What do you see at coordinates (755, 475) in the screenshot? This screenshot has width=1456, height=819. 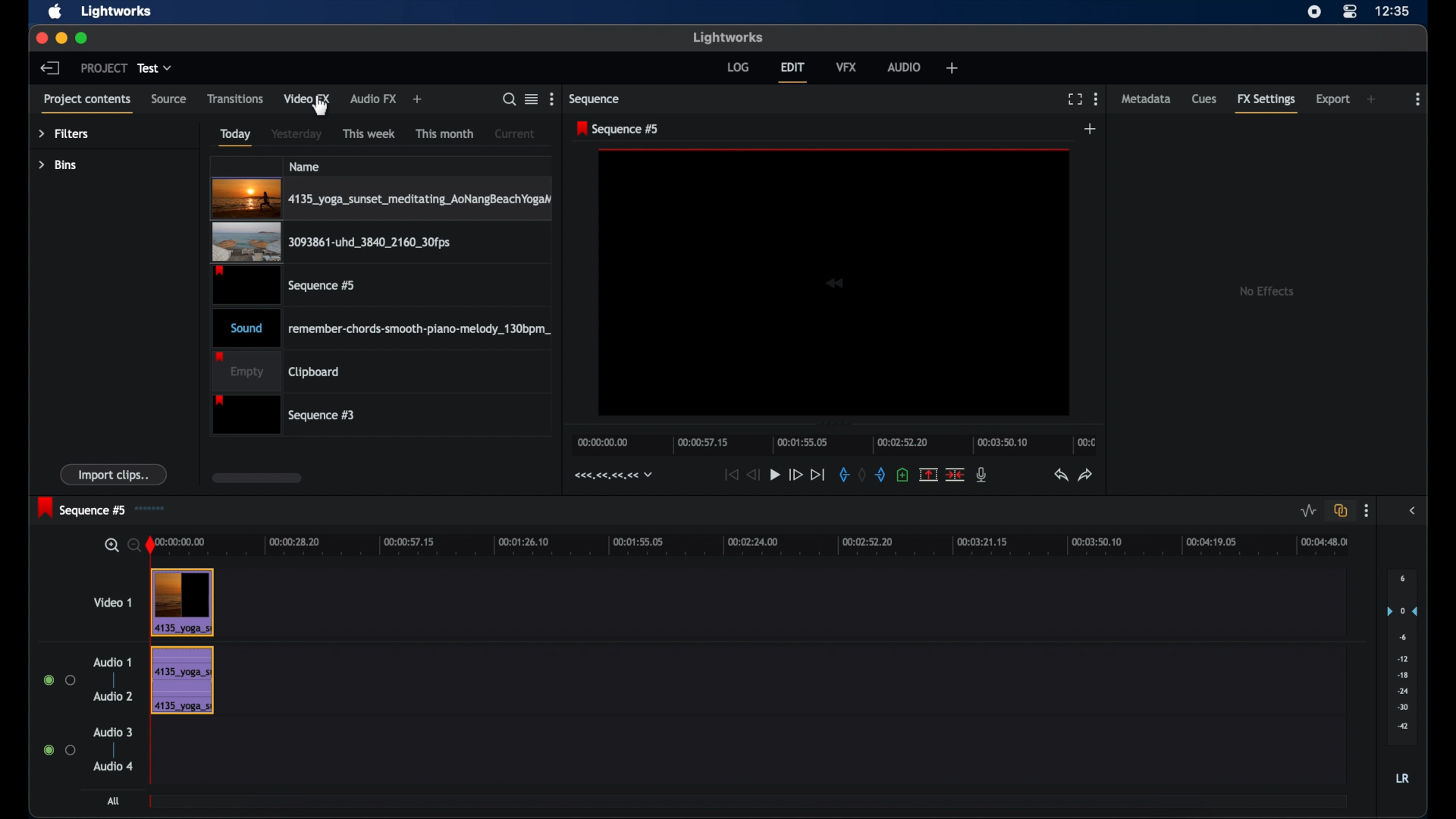 I see `rewind` at bounding box center [755, 475].